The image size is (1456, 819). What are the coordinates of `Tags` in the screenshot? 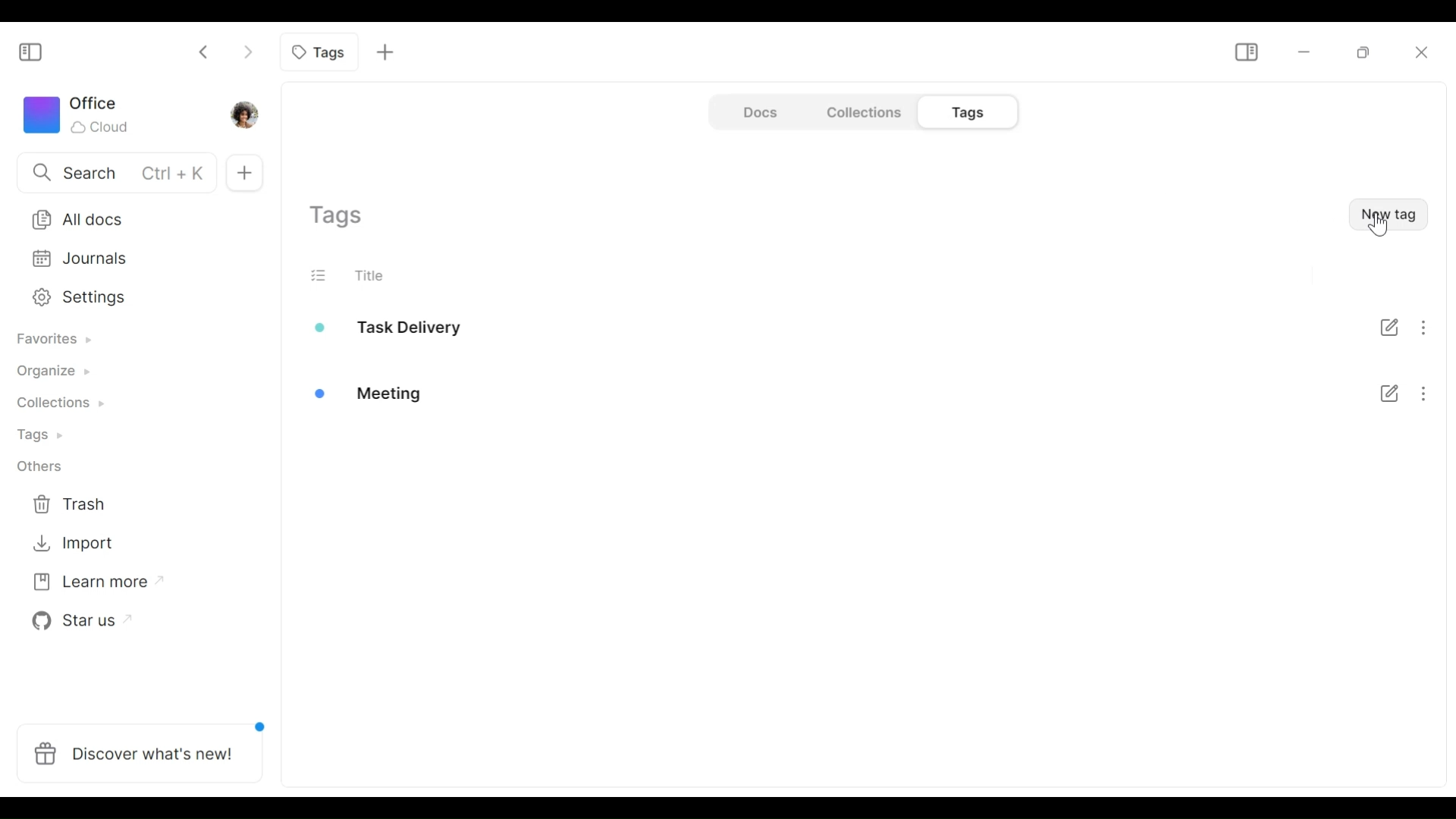 It's located at (46, 436).